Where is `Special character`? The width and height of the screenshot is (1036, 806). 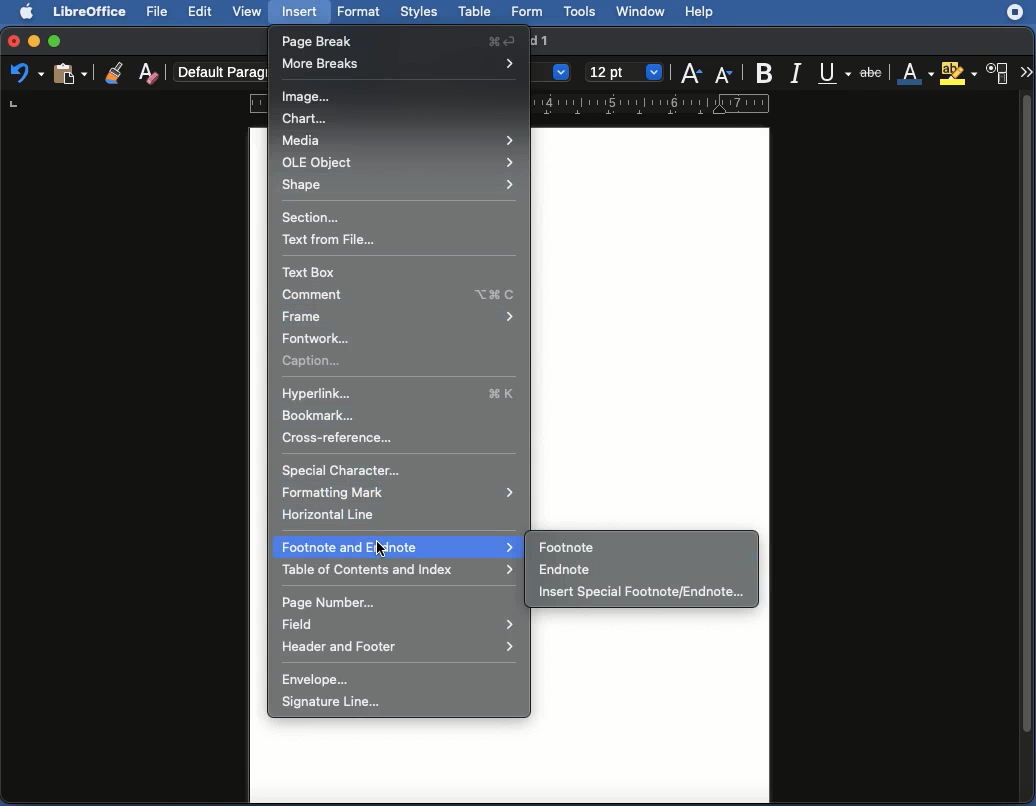
Special character is located at coordinates (346, 470).